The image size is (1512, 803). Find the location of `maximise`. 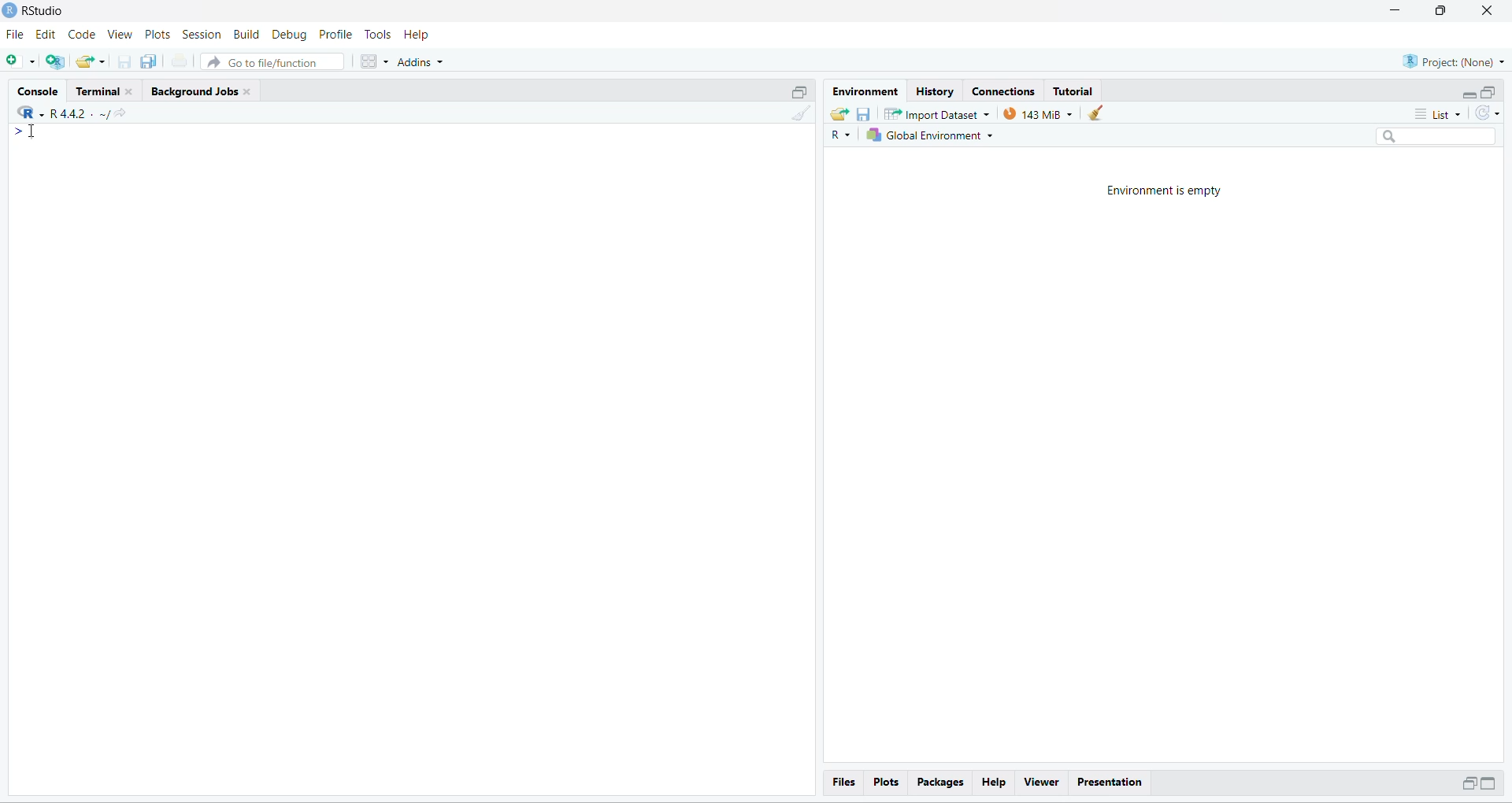

maximise is located at coordinates (1441, 11).